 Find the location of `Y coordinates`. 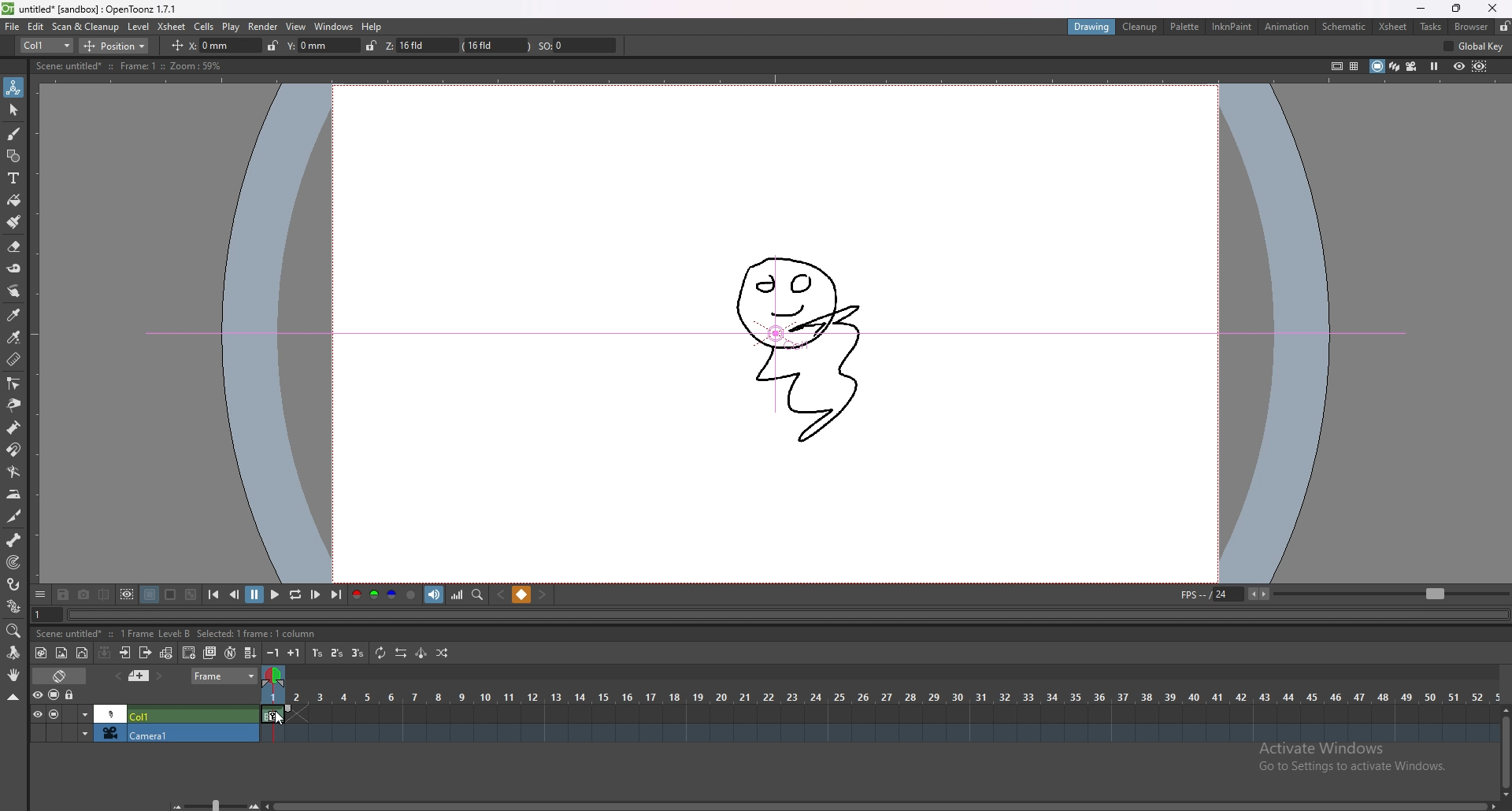

Y coordinates is located at coordinates (313, 45).